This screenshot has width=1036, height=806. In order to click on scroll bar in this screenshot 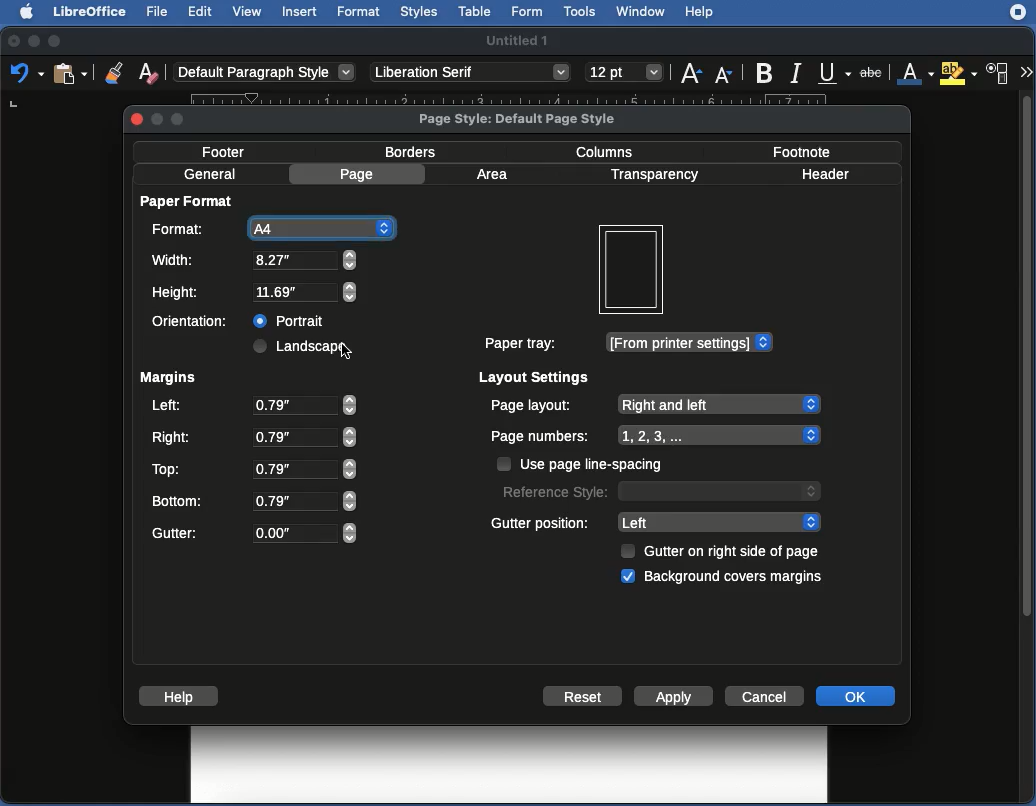, I will do `click(1027, 445)`.